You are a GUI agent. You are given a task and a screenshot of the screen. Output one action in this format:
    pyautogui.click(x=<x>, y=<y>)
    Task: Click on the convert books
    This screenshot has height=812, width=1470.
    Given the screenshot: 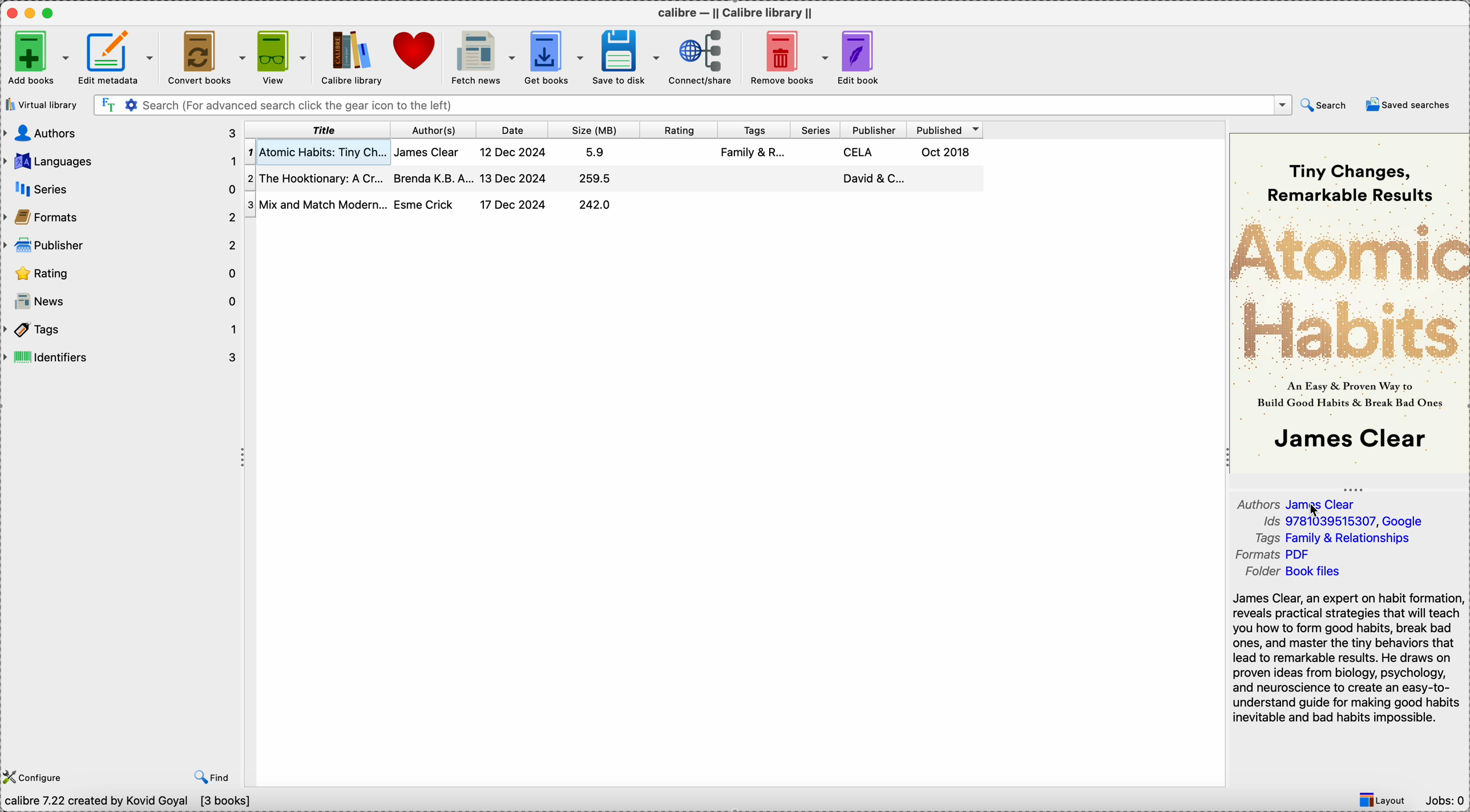 What is the action you would take?
    pyautogui.click(x=209, y=58)
    